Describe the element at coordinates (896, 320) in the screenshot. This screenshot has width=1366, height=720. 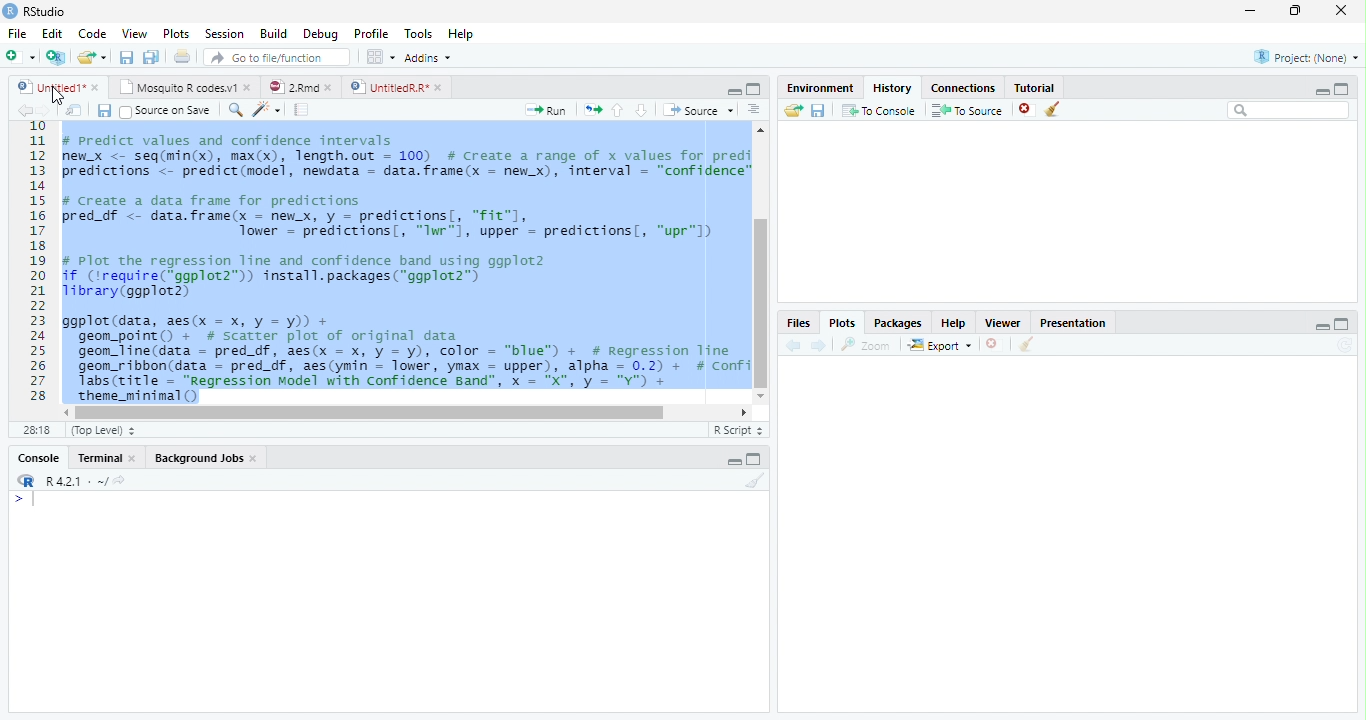
I see `Packages` at that location.